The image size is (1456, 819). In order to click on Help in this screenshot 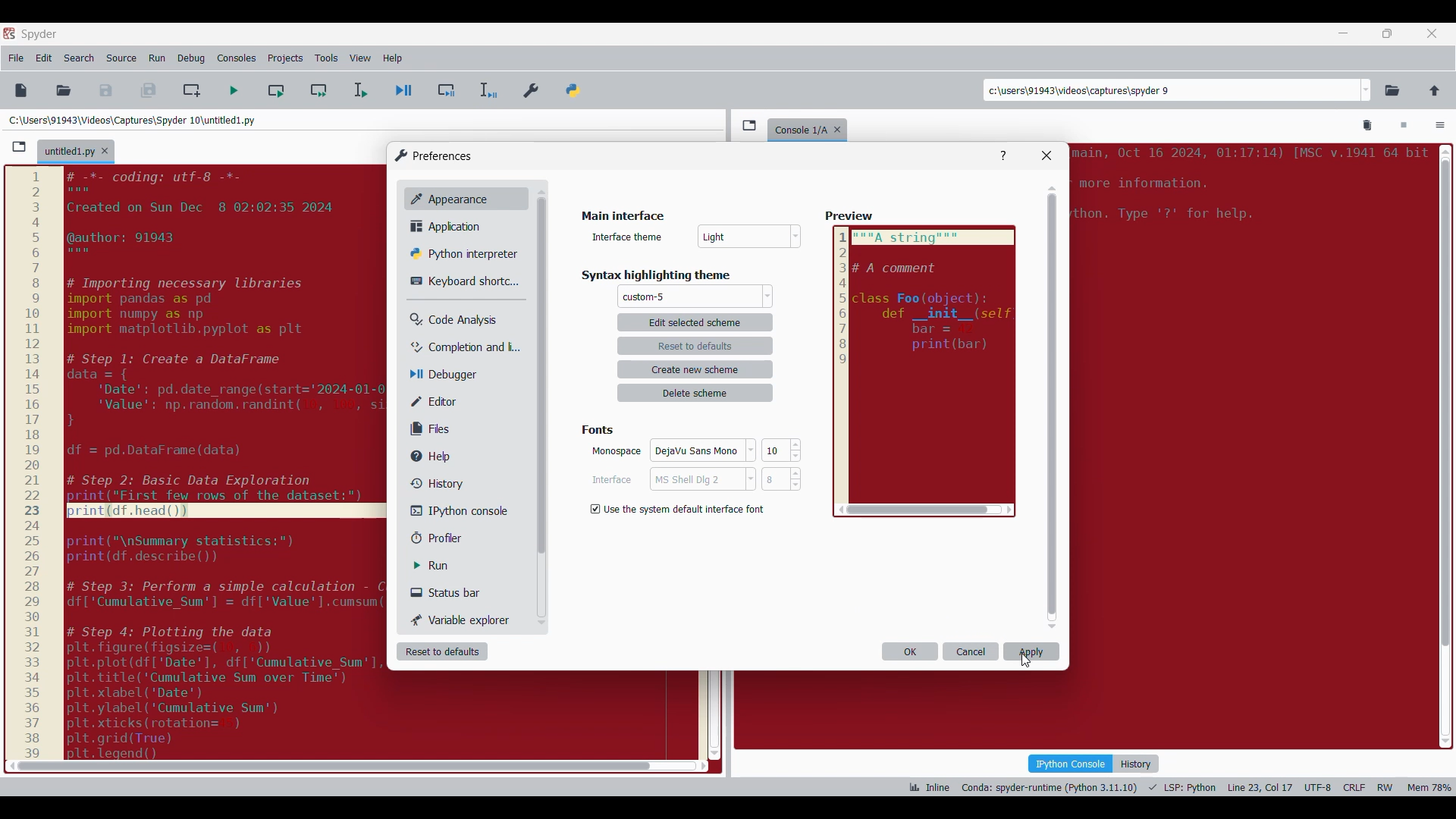, I will do `click(1003, 156)`.